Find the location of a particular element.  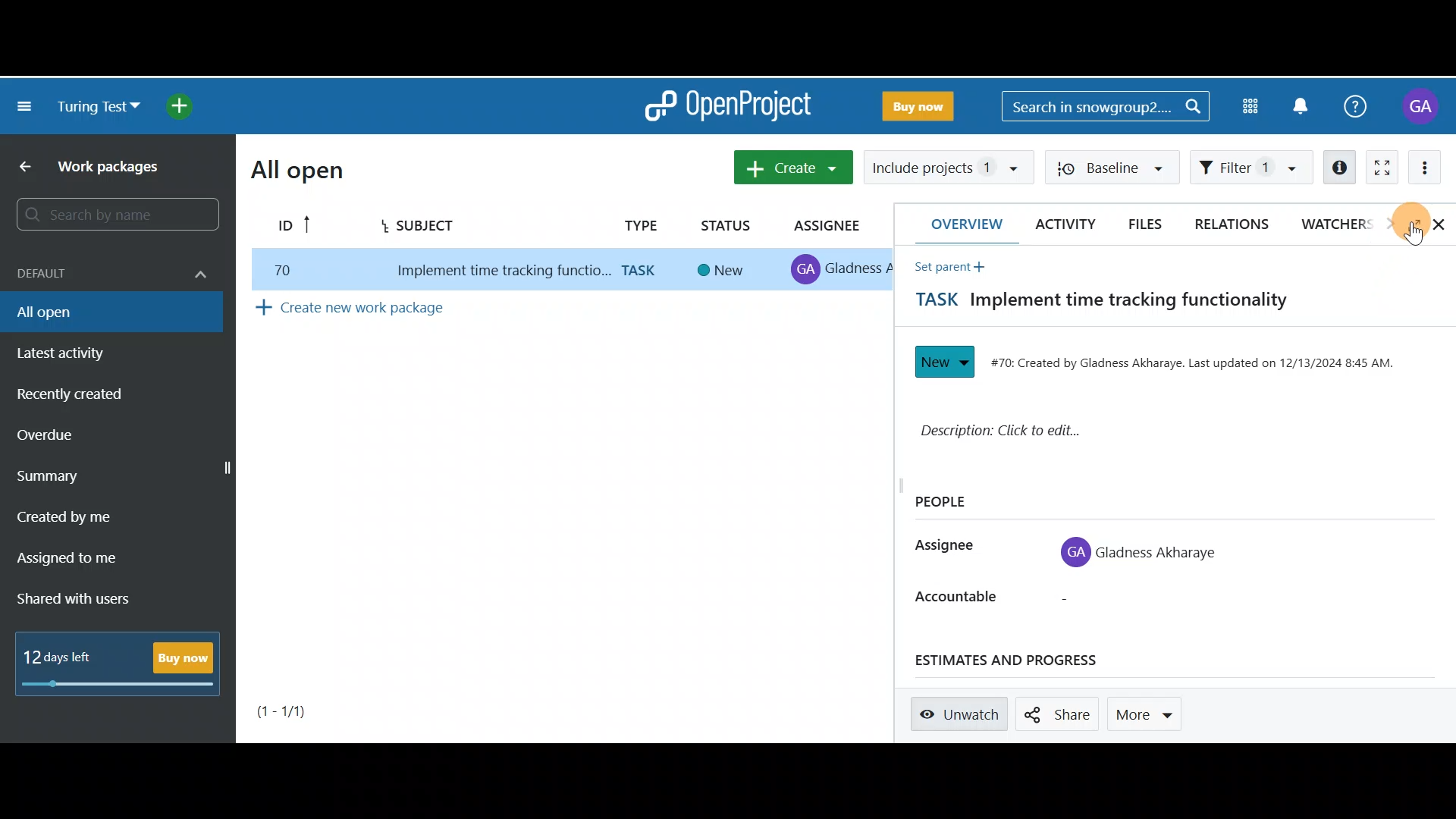

Description: Click to edit... is located at coordinates (1176, 445).